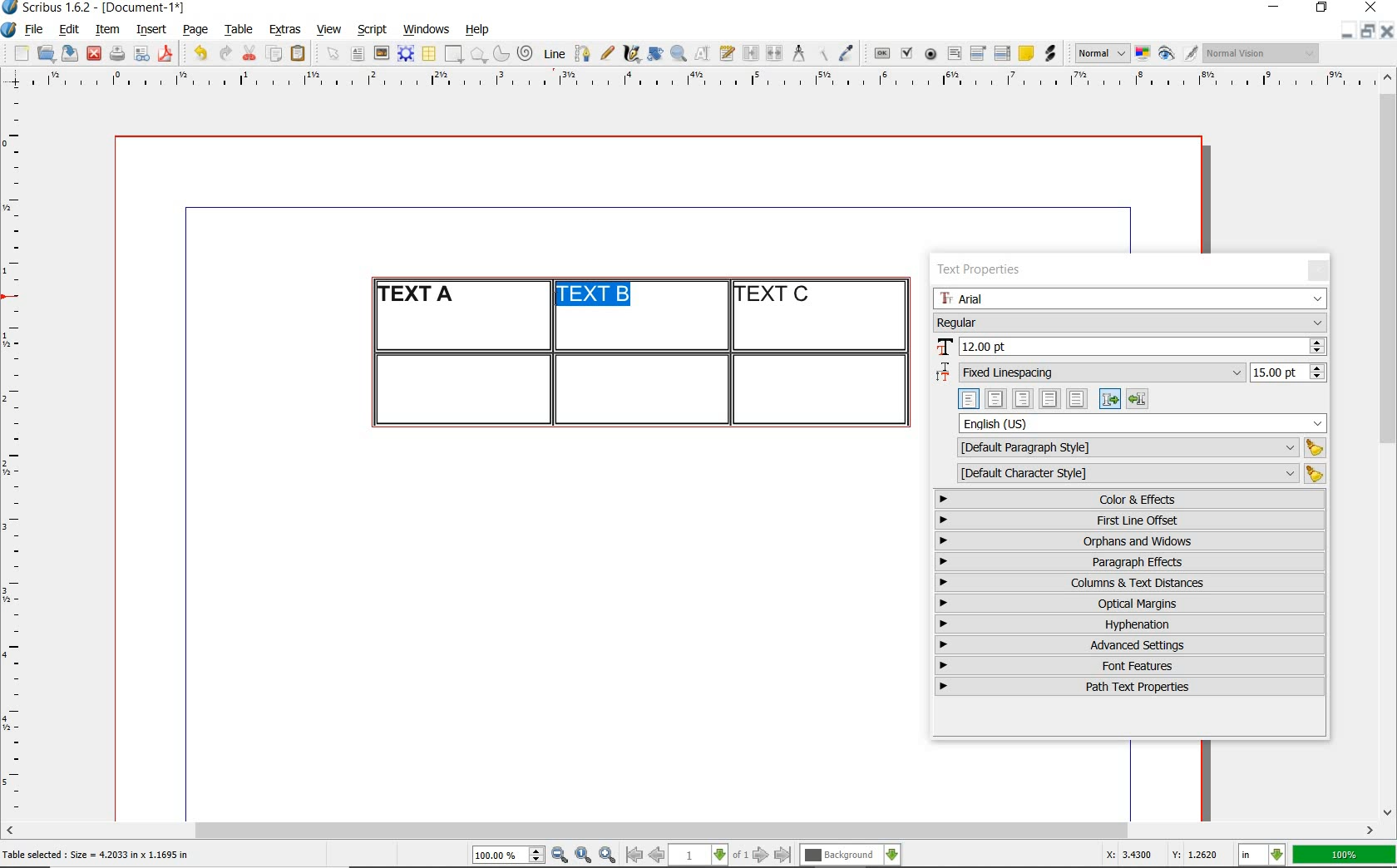 The height and width of the screenshot is (868, 1397). What do you see at coordinates (633, 855) in the screenshot?
I see `go to first page` at bounding box center [633, 855].